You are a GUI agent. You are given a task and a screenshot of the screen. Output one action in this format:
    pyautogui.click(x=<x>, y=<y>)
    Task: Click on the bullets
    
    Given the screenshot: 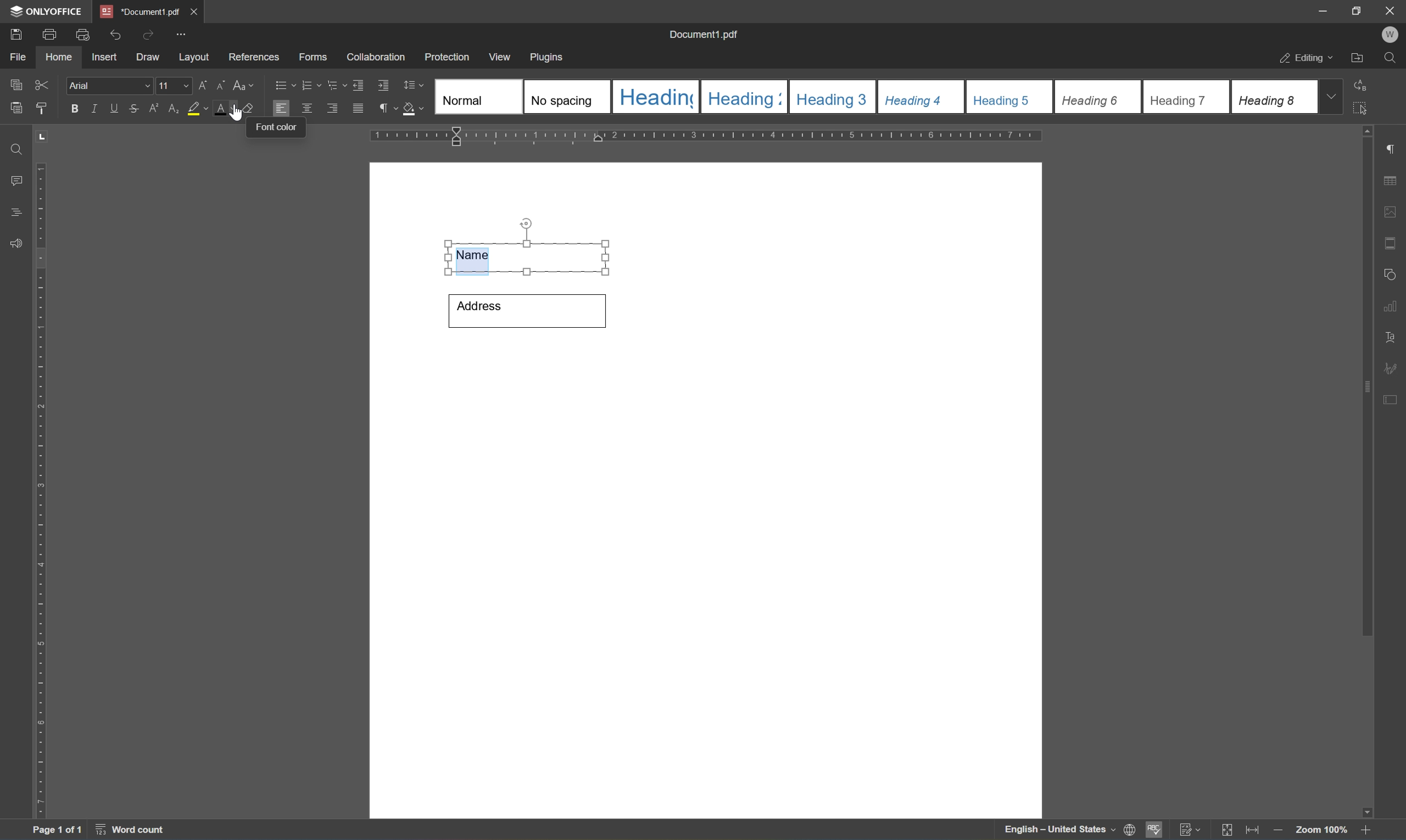 What is the action you would take?
    pyautogui.click(x=282, y=84)
    